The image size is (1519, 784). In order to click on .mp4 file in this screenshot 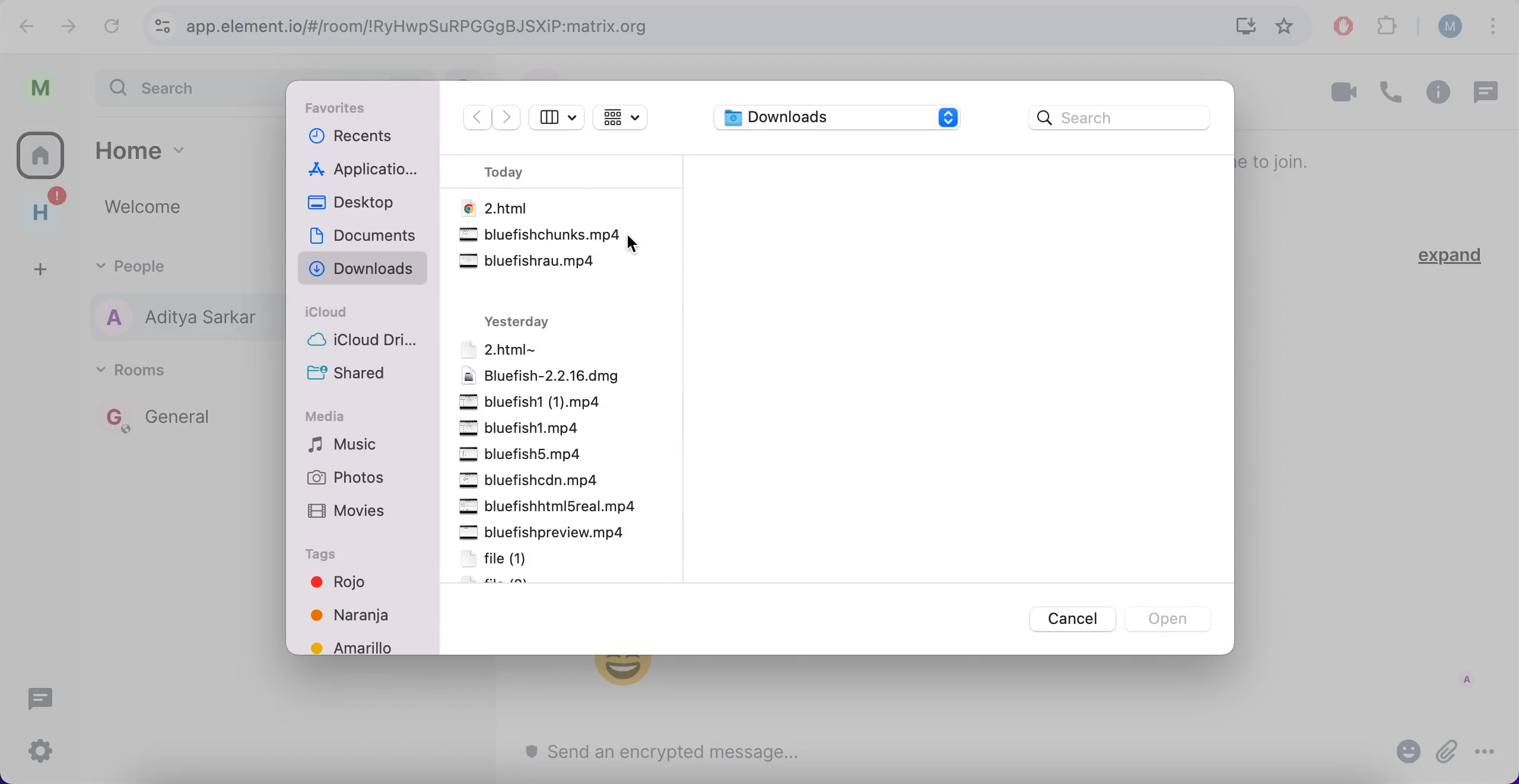, I will do `click(542, 233)`.